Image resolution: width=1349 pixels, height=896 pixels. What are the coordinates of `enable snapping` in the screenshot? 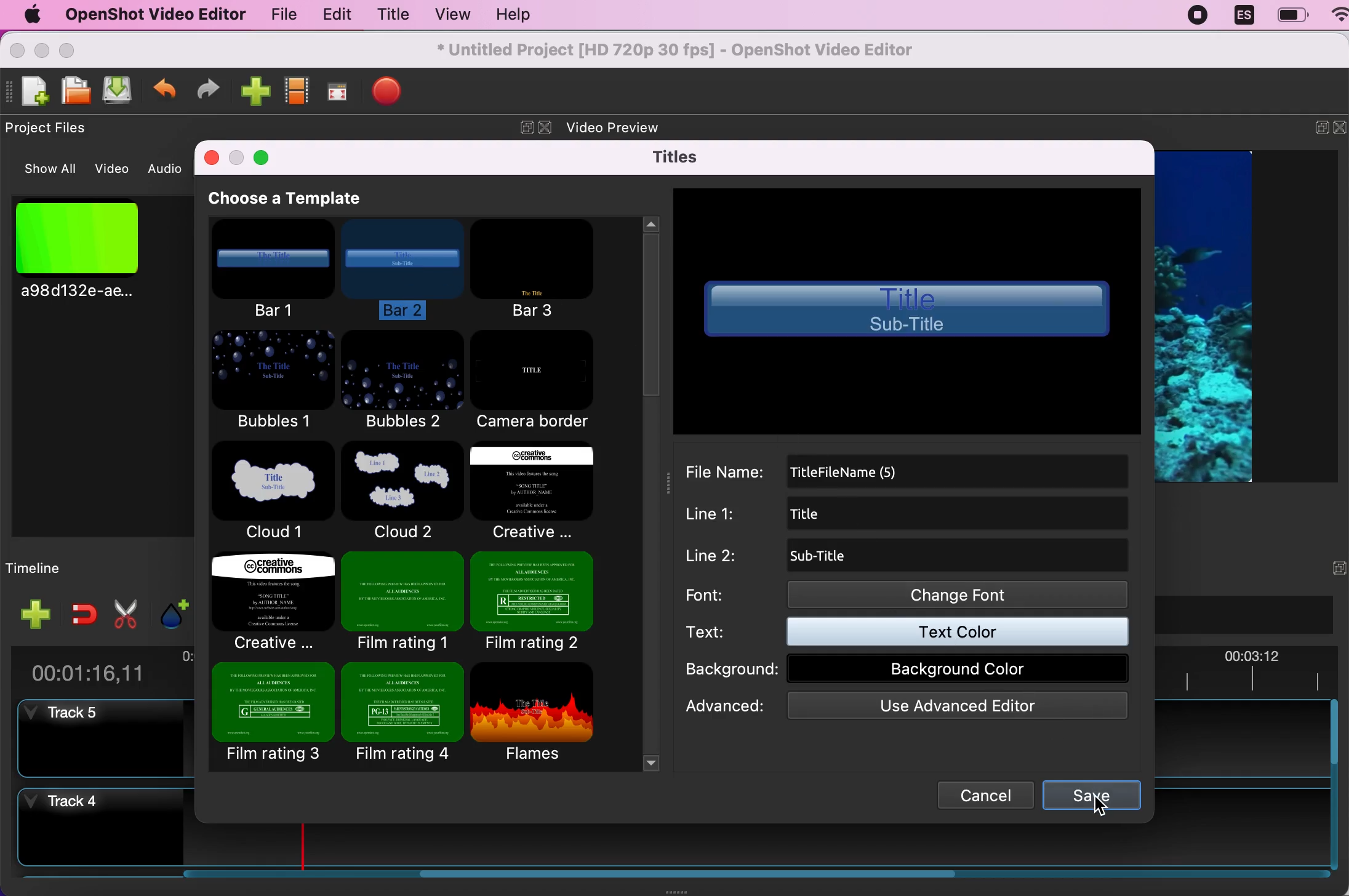 It's located at (79, 614).